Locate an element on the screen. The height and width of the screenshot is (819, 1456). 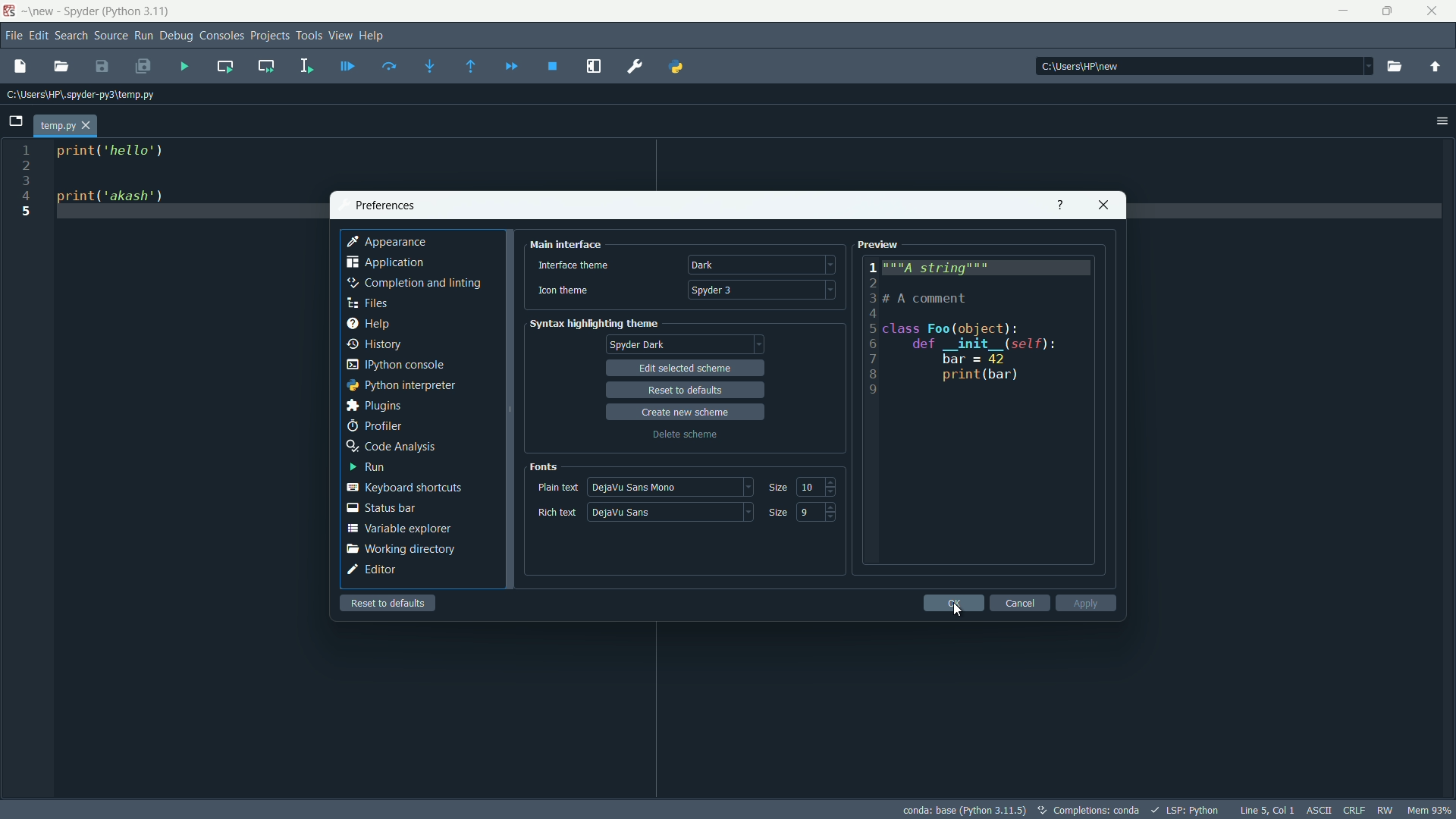
ipython console is located at coordinates (395, 364).